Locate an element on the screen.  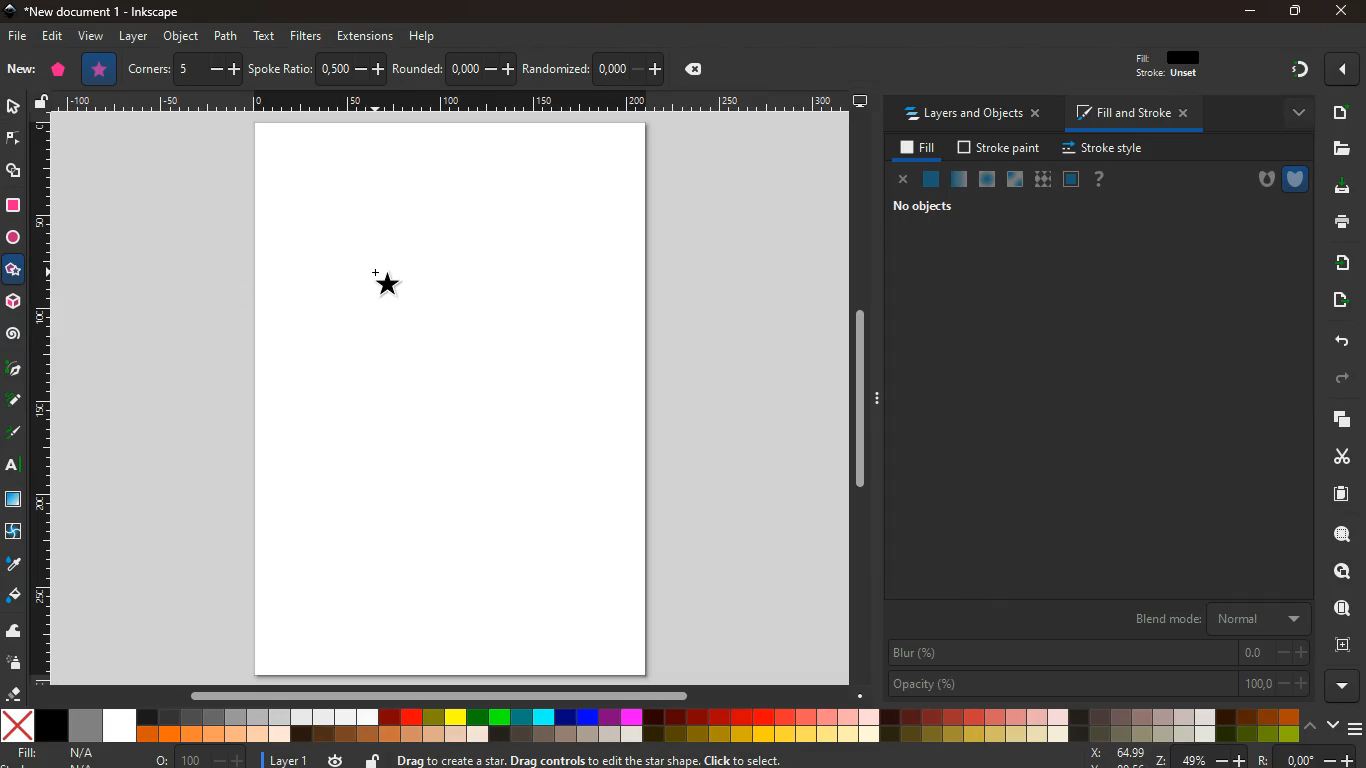
wave is located at coordinates (15, 633).